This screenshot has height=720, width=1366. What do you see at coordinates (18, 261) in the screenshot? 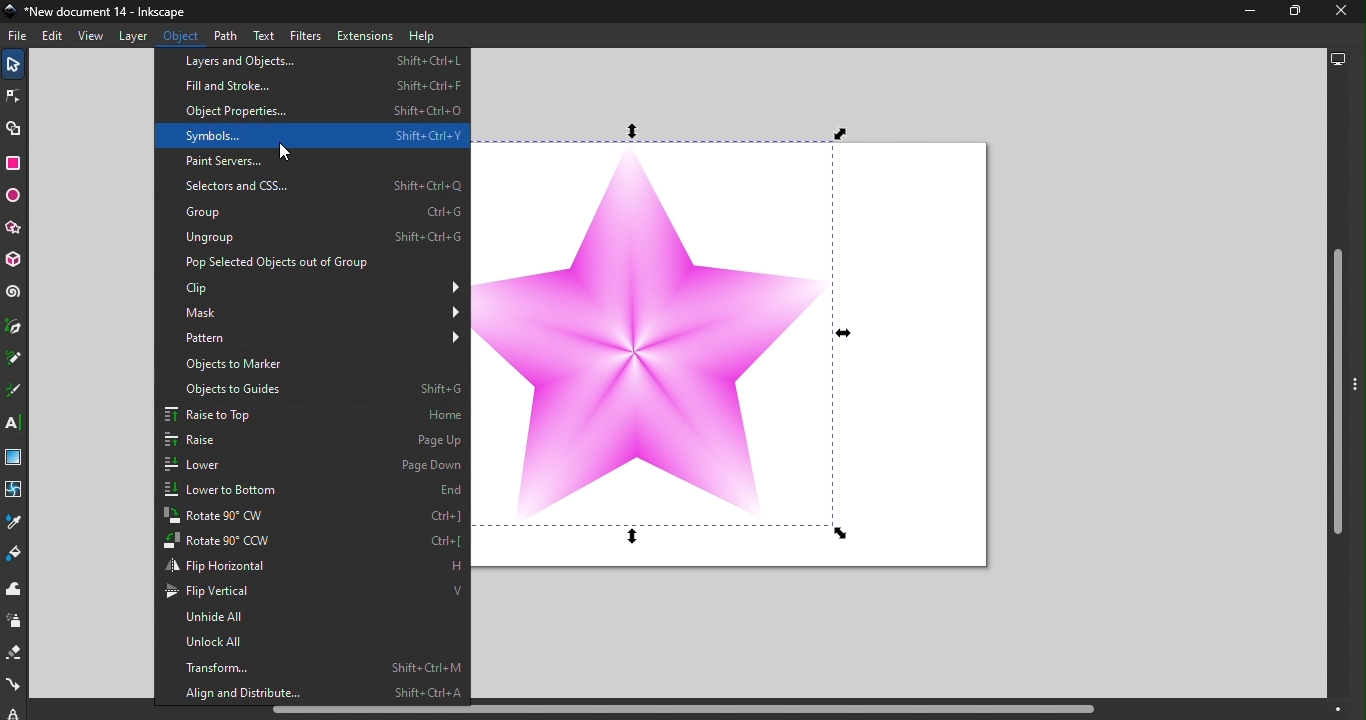
I see `3D box tool` at bounding box center [18, 261].